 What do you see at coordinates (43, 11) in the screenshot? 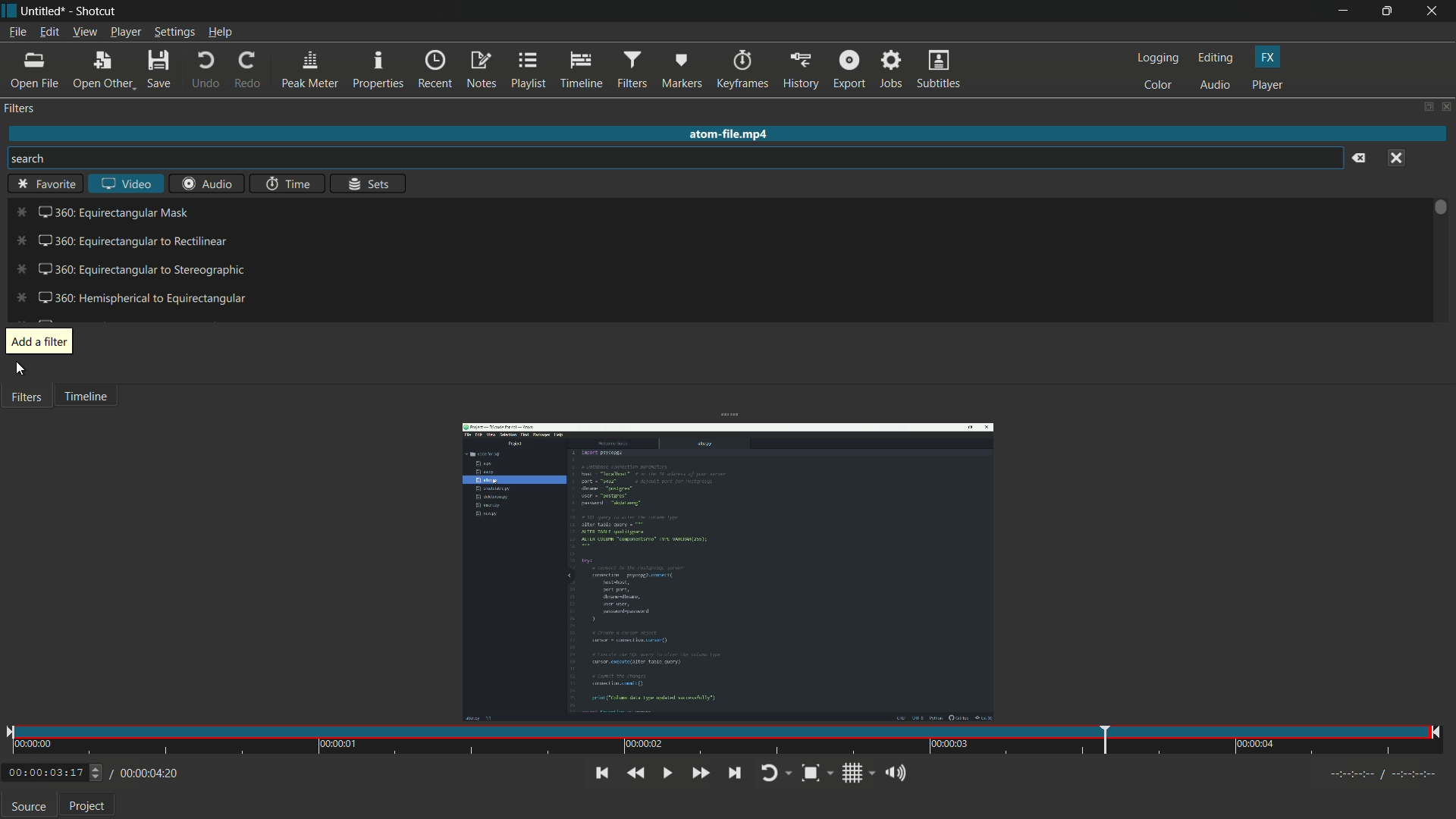
I see `untitled` at bounding box center [43, 11].